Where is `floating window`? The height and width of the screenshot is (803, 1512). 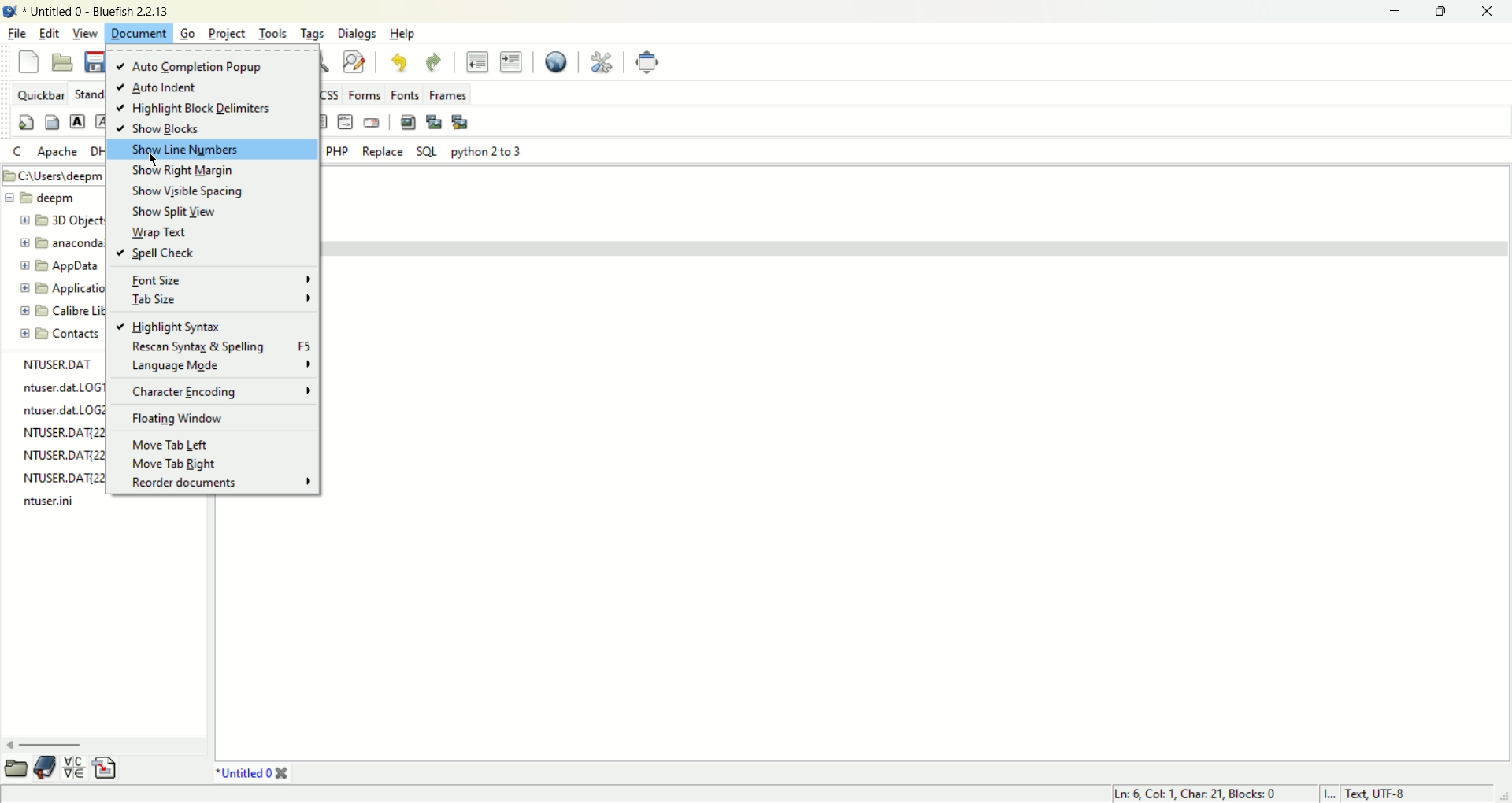 floating window is located at coordinates (182, 420).